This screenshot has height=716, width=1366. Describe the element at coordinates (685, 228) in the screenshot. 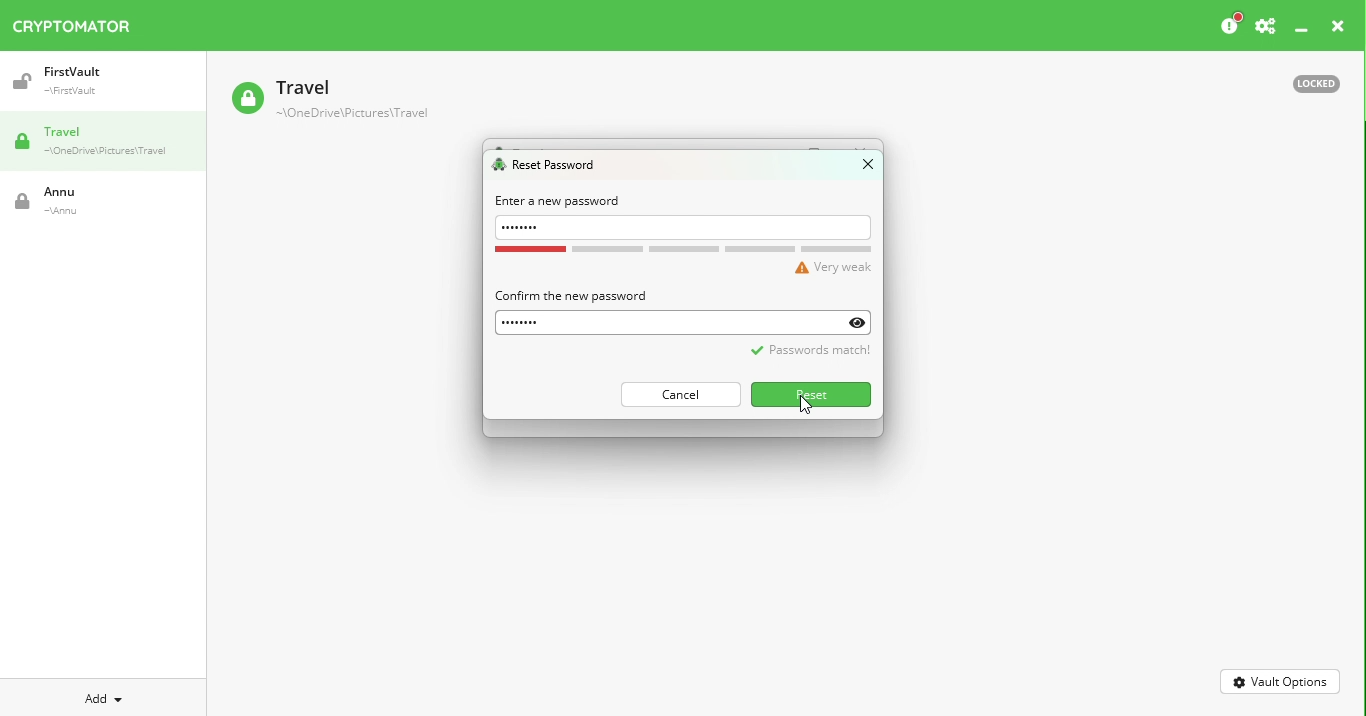

I see `Enter password` at that location.